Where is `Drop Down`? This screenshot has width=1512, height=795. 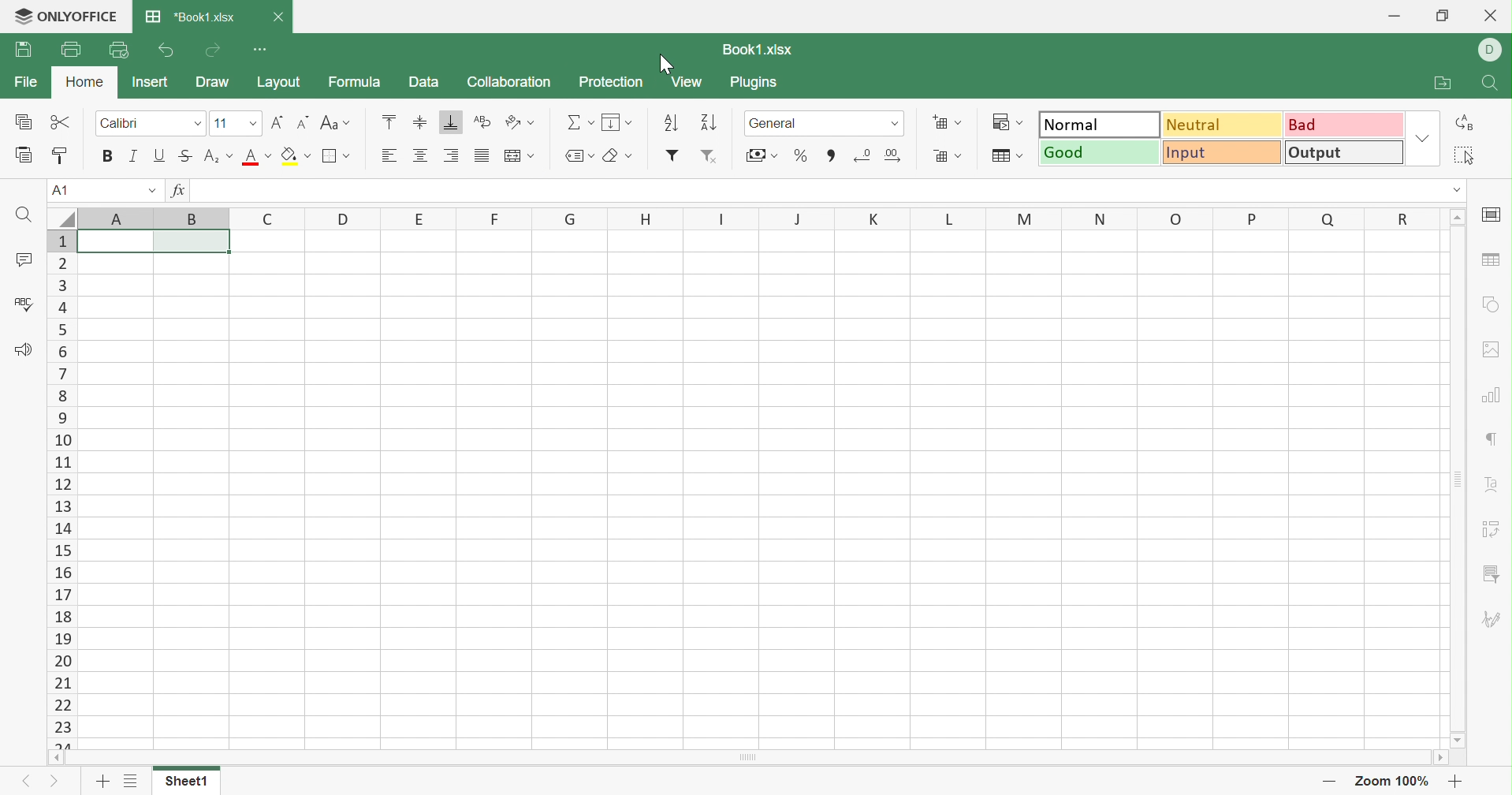
Drop Down is located at coordinates (253, 123).